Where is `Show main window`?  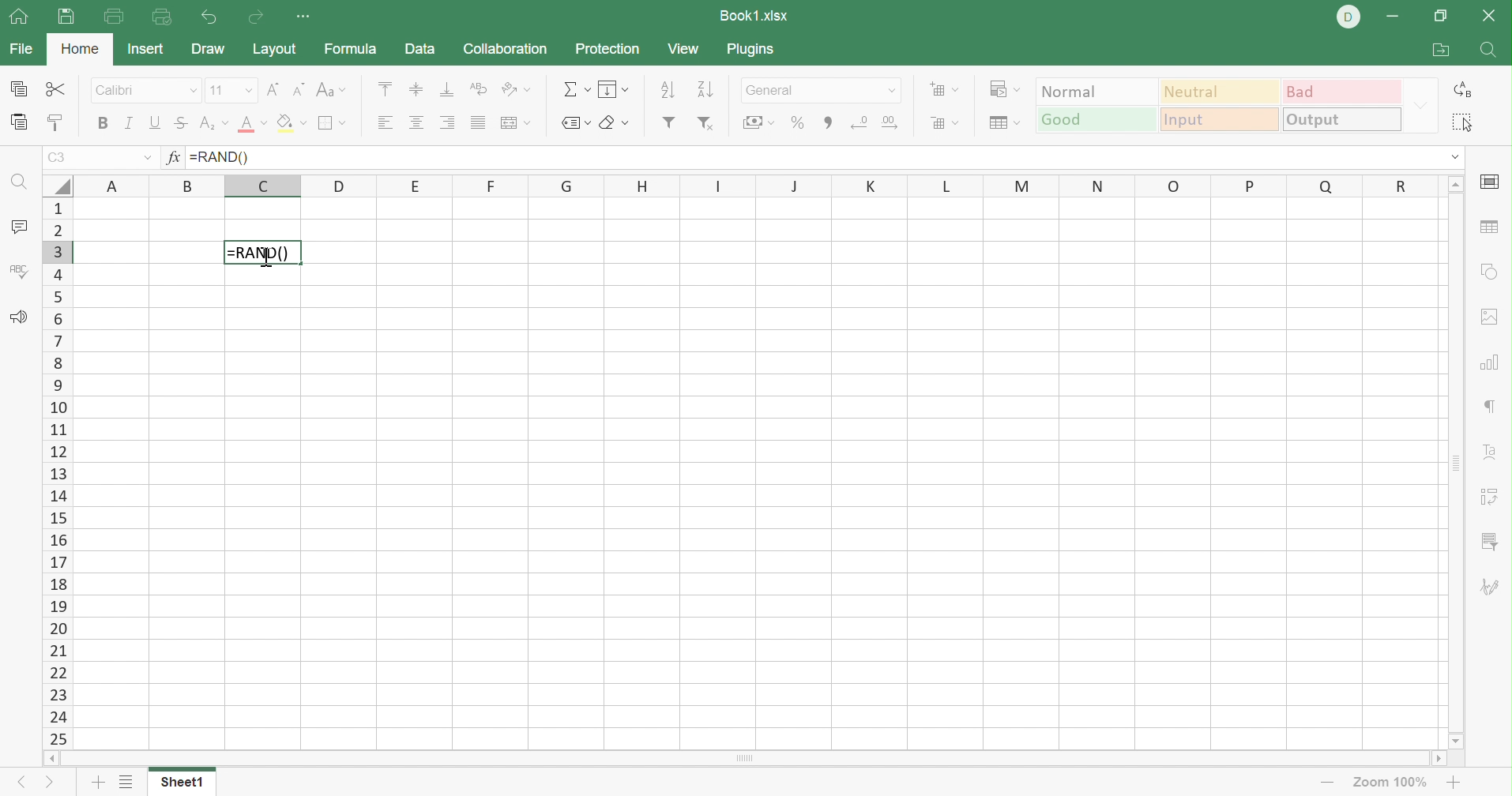 Show main window is located at coordinates (18, 15).